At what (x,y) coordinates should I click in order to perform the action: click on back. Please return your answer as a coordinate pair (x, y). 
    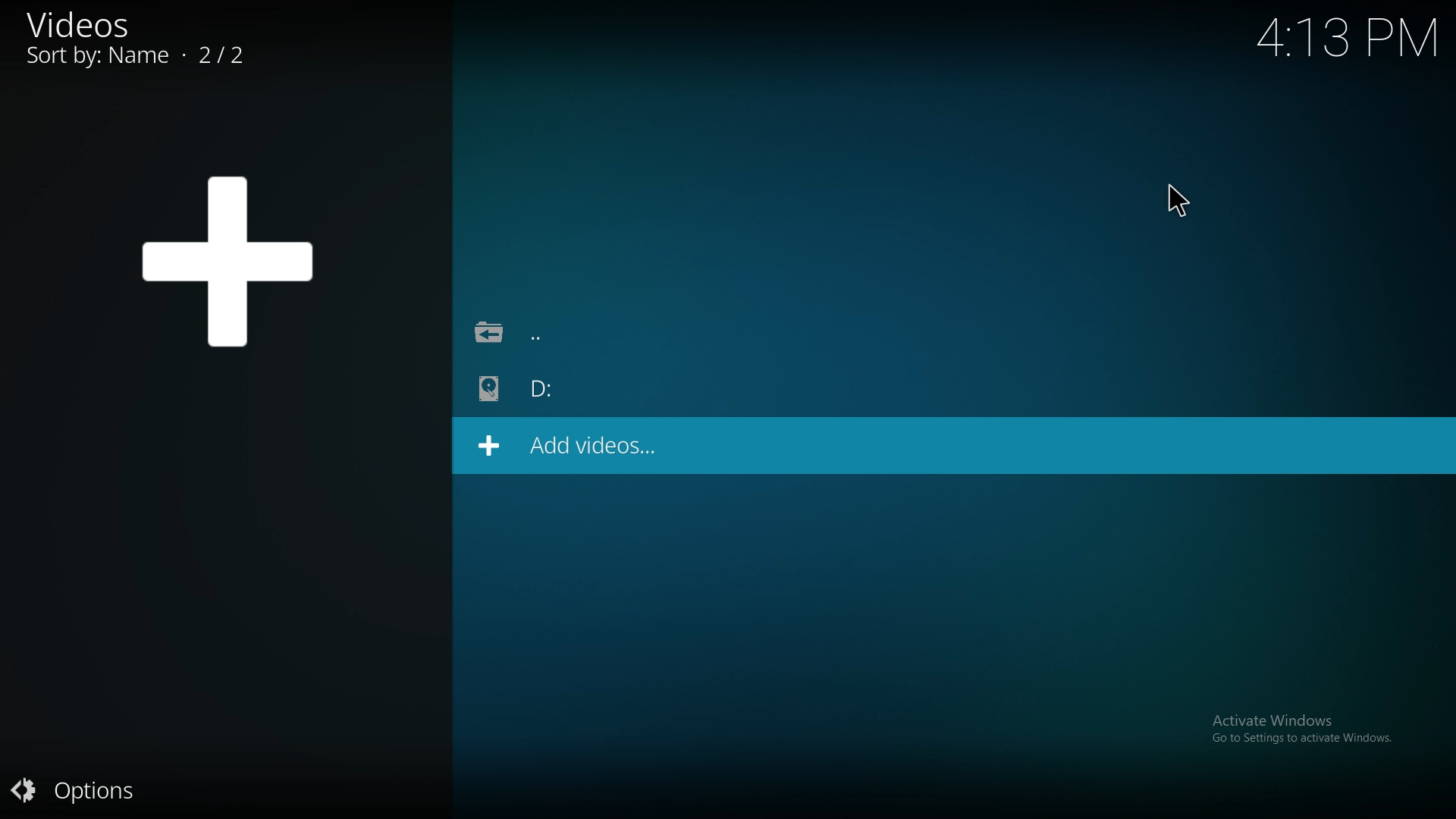
    Looking at the image, I should click on (522, 331).